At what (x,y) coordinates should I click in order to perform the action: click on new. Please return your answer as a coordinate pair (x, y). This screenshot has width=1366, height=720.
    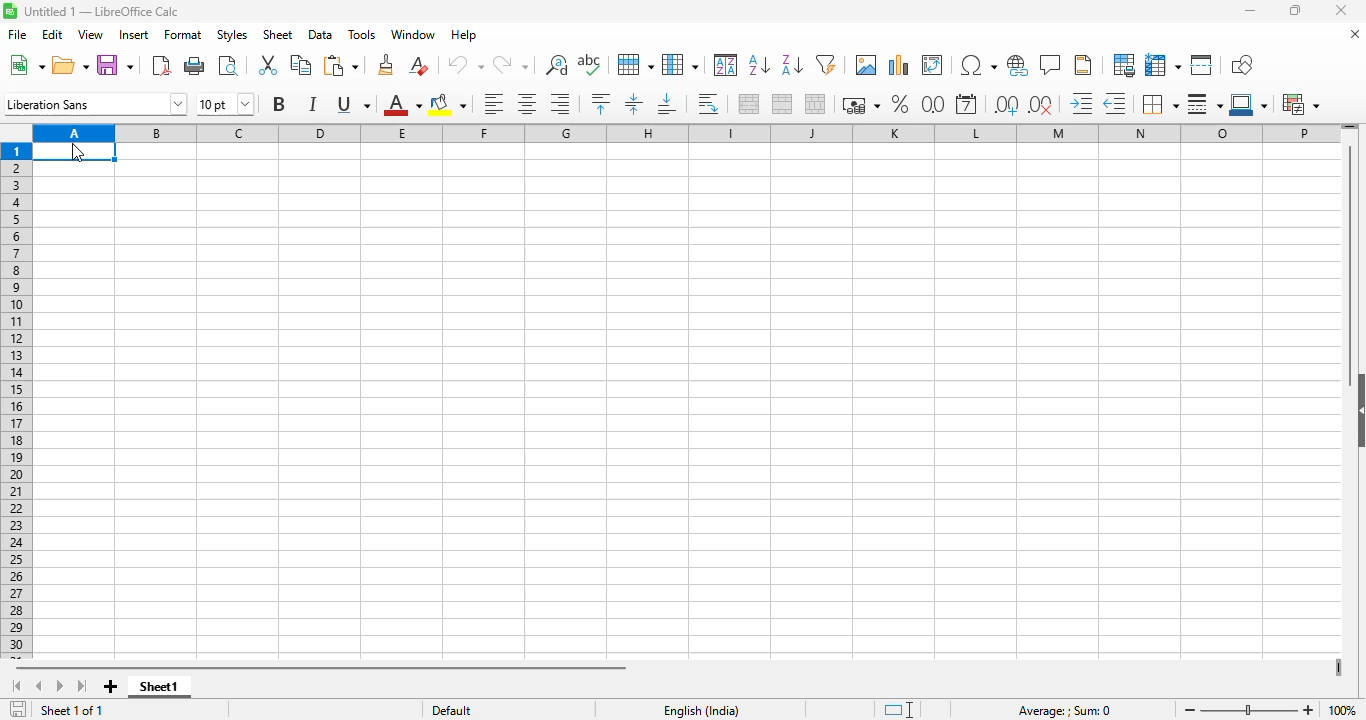
    Looking at the image, I should click on (26, 65).